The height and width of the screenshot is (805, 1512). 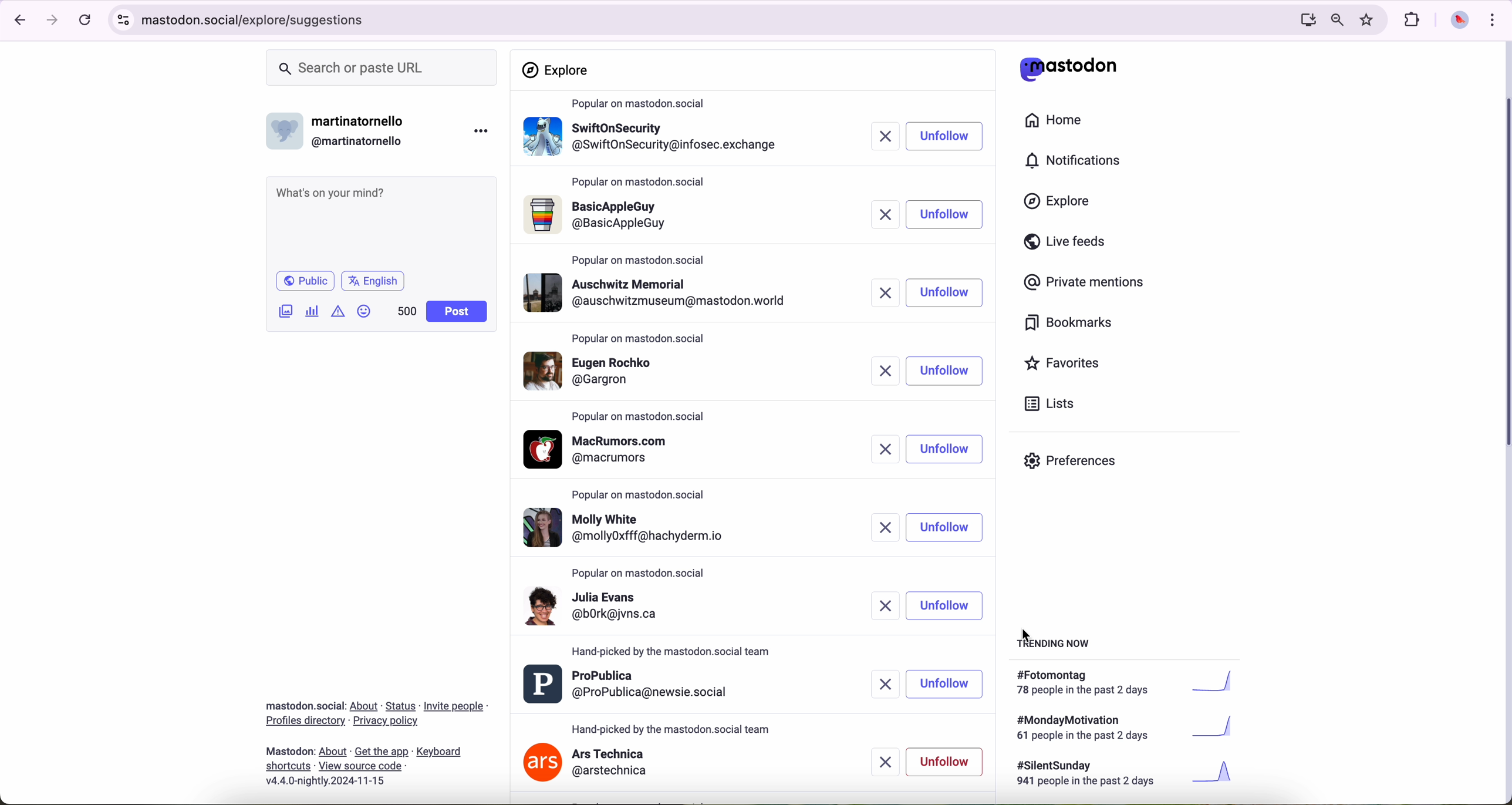 I want to click on what's on your mind?, so click(x=380, y=221).